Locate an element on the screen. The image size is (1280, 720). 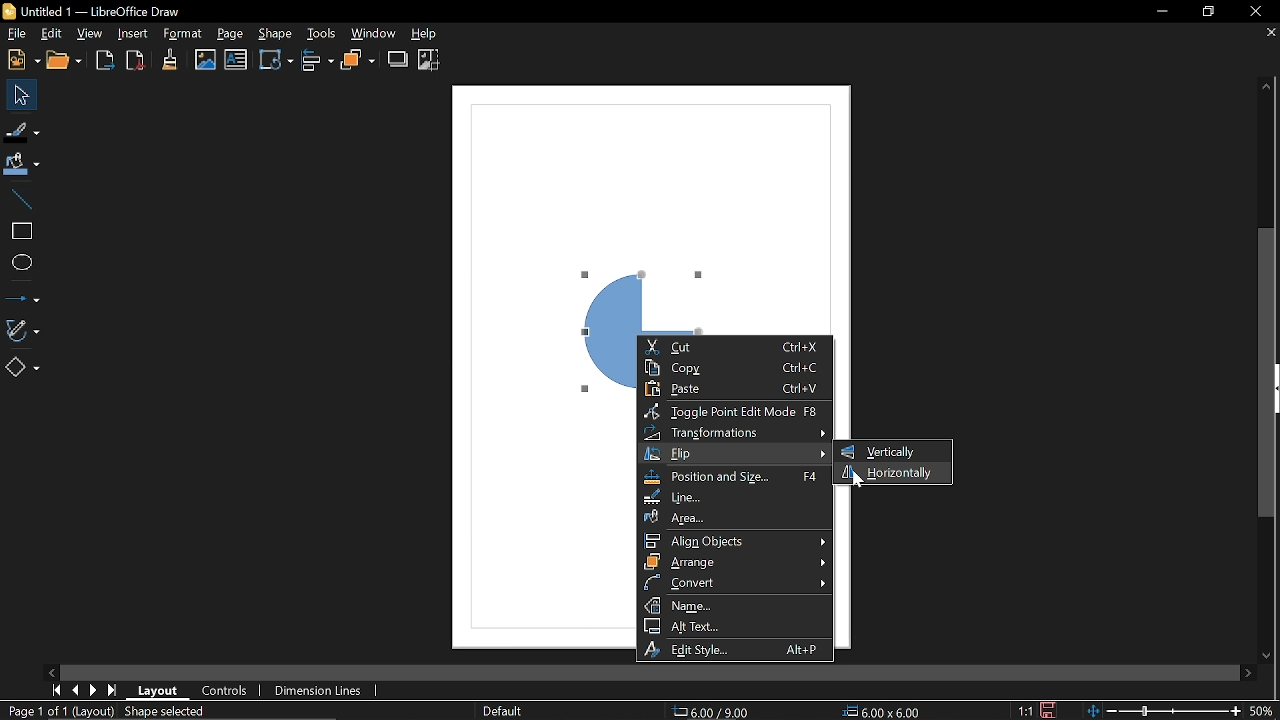
Scaling factor is located at coordinates (1026, 711).